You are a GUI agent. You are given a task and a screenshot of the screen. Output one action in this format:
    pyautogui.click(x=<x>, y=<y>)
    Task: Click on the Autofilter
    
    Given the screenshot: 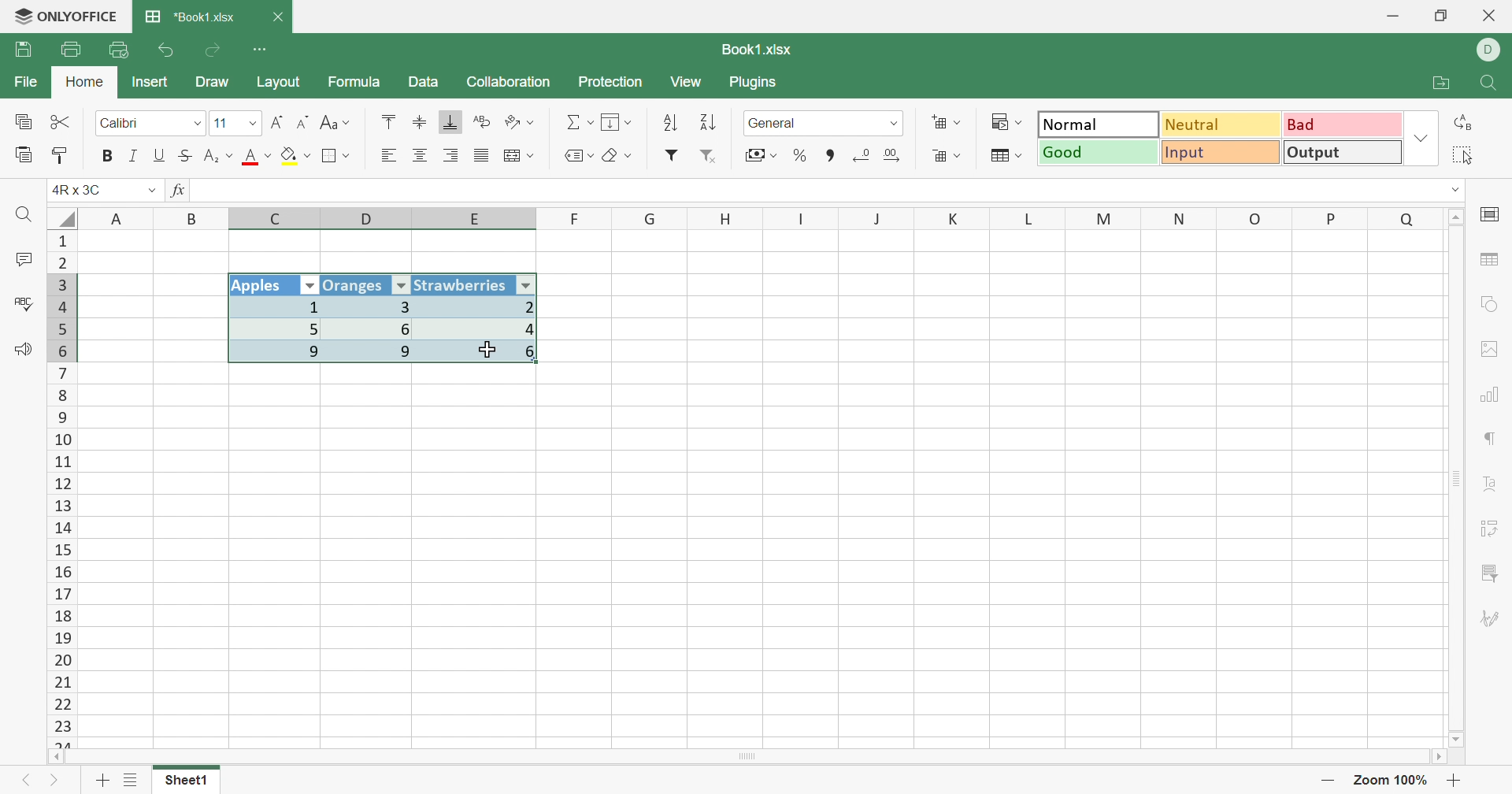 What is the action you would take?
    pyautogui.click(x=310, y=286)
    